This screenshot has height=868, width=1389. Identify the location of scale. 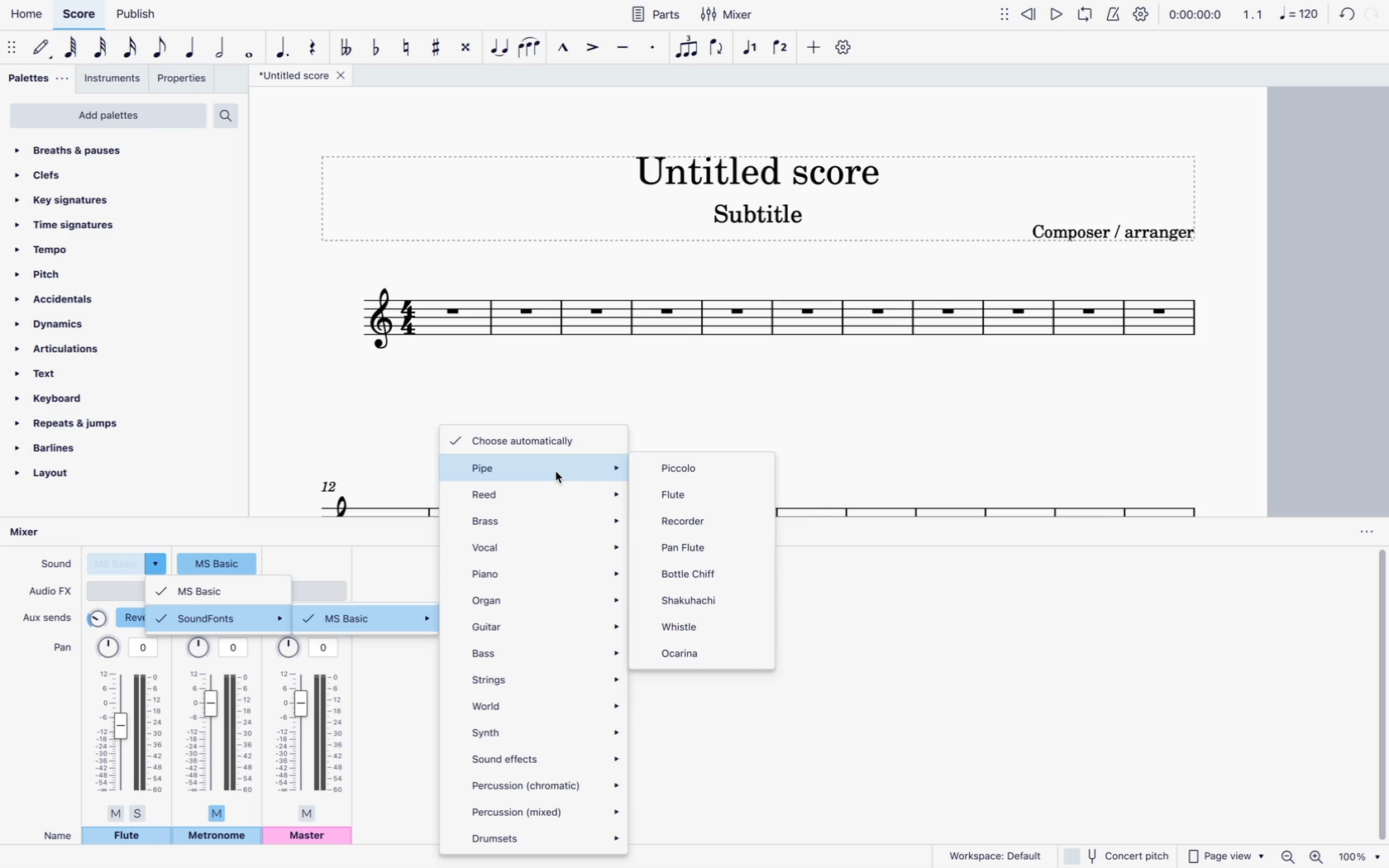
(991, 498).